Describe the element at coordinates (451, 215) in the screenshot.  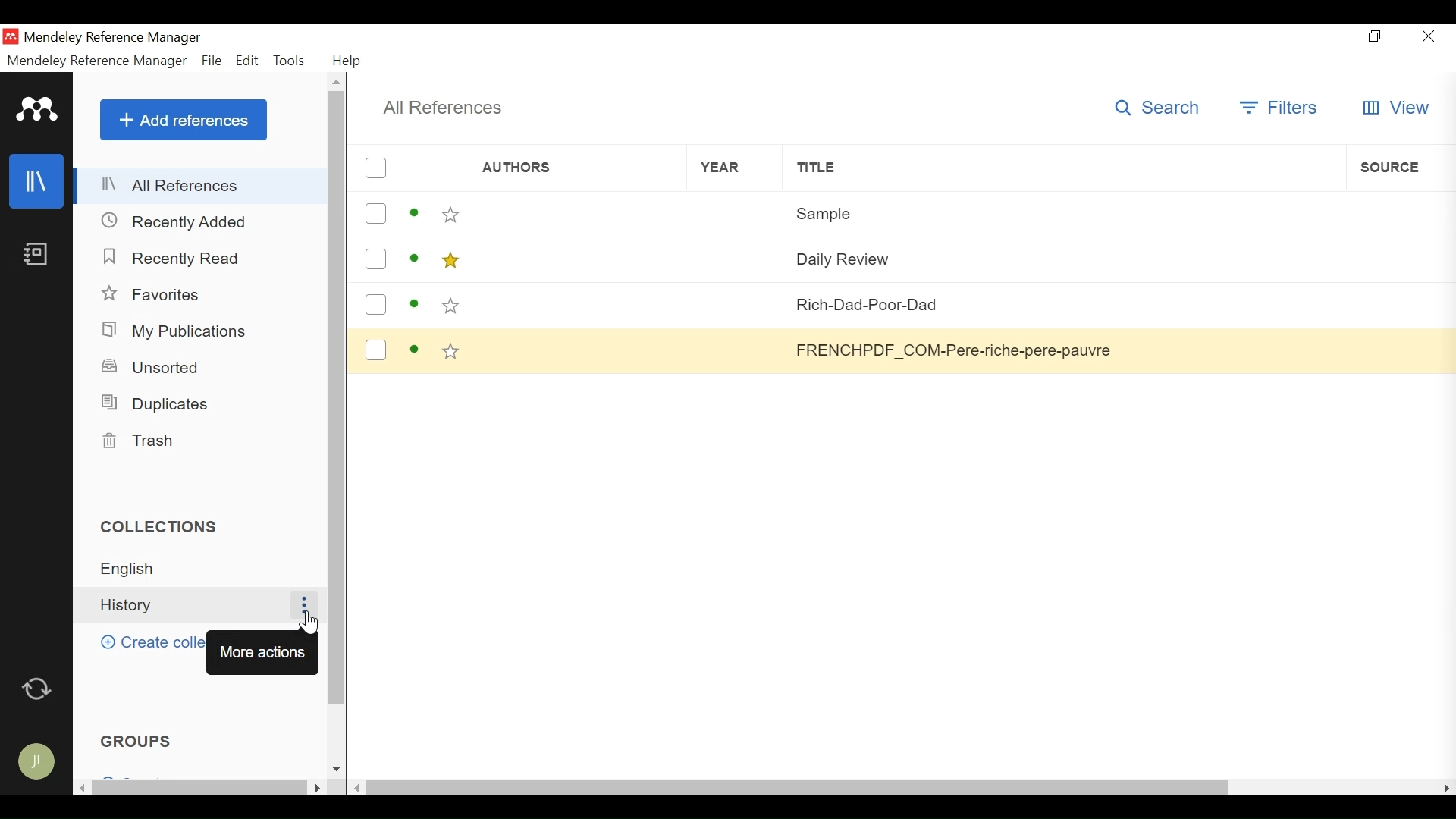
I see `Toggle favorites` at that location.